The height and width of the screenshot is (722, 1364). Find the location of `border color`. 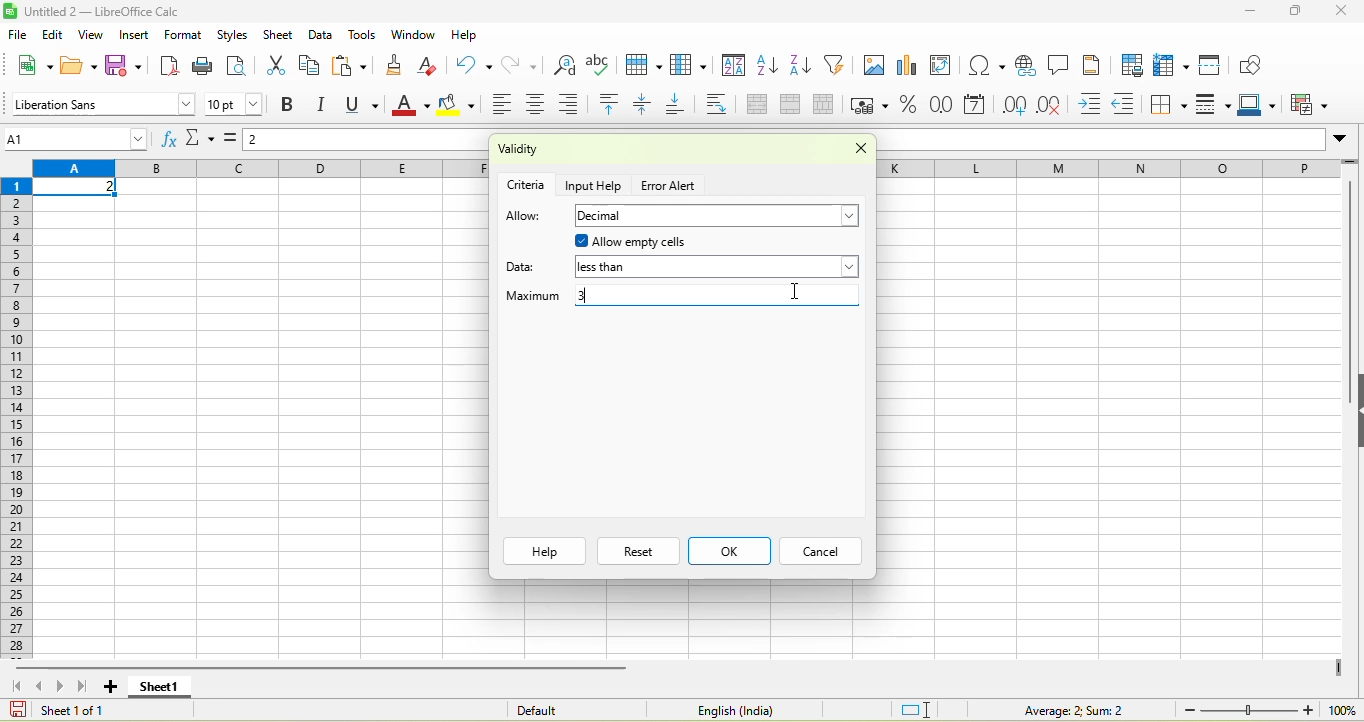

border color is located at coordinates (1261, 106).